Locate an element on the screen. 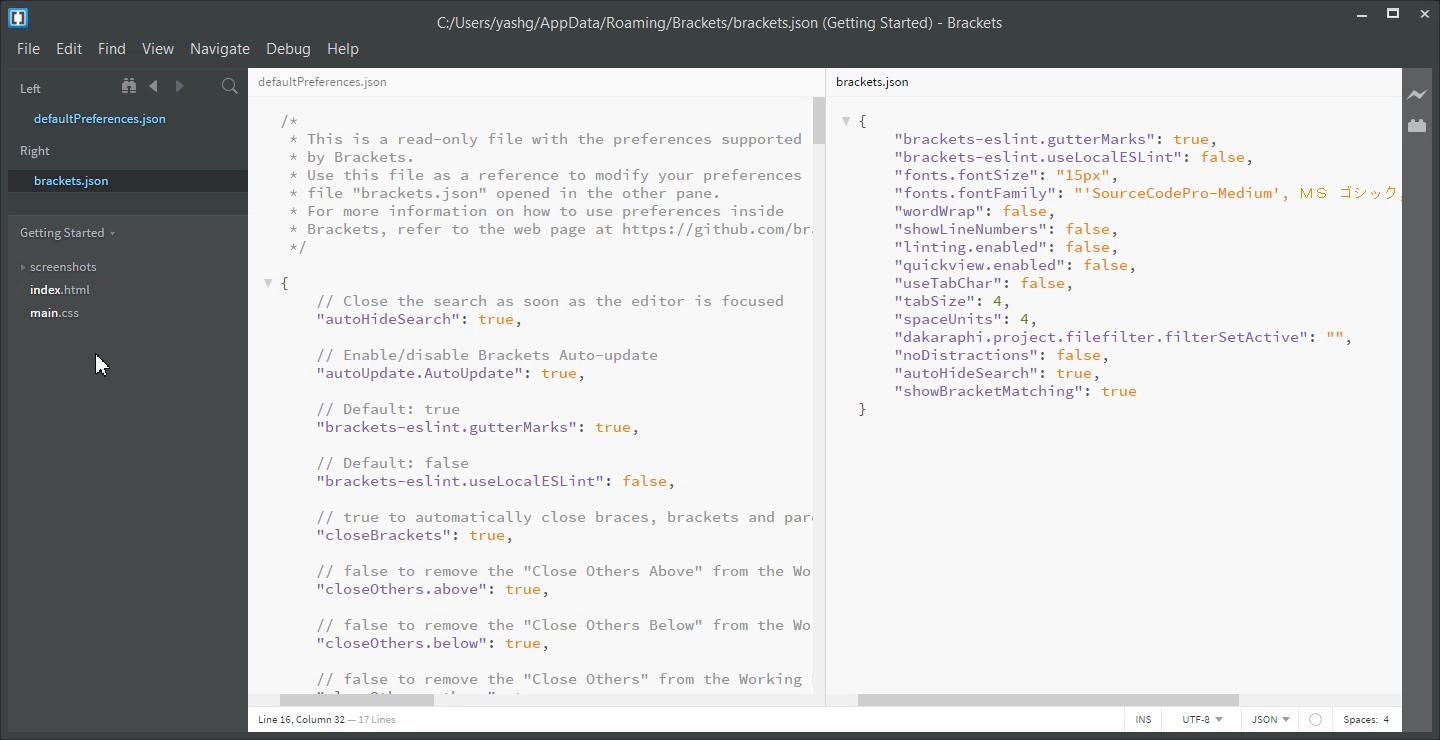  screenshots is located at coordinates (60, 263).